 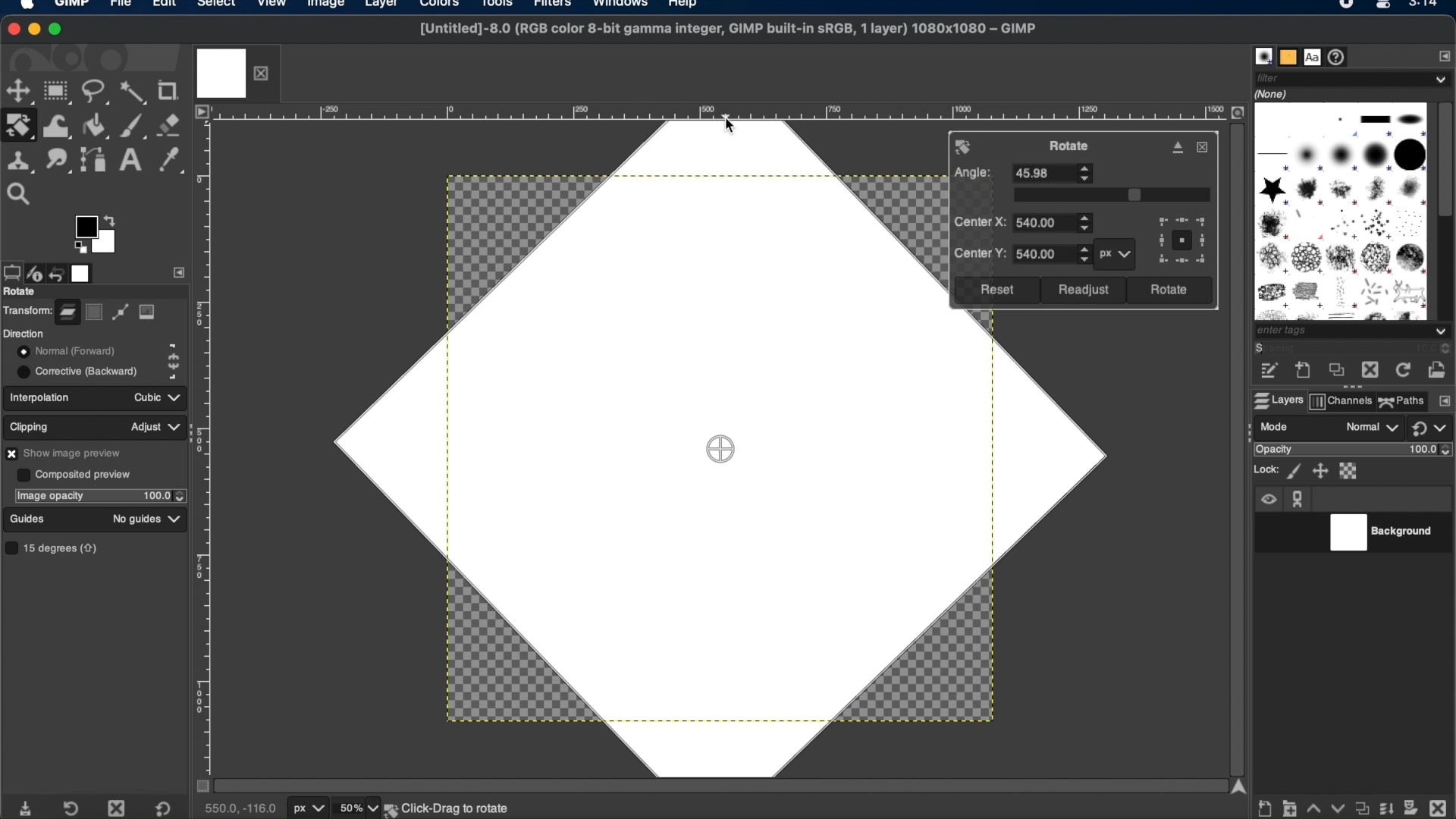 What do you see at coordinates (1441, 349) in the screenshot?
I see `spacing stepper buttons` at bounding box center [1441, 349].